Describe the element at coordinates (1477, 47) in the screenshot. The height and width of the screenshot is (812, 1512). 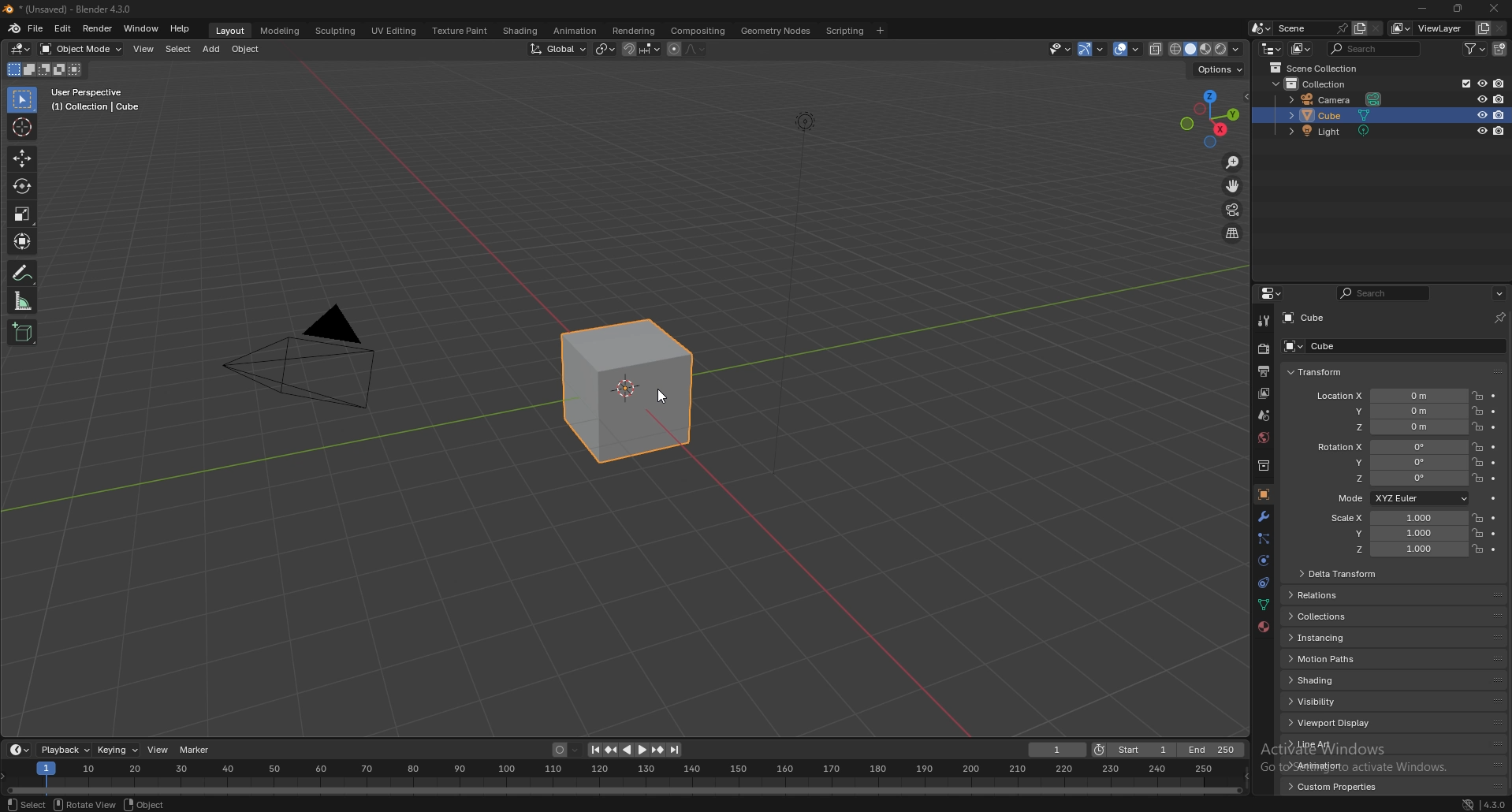
I see `filter` at that location.